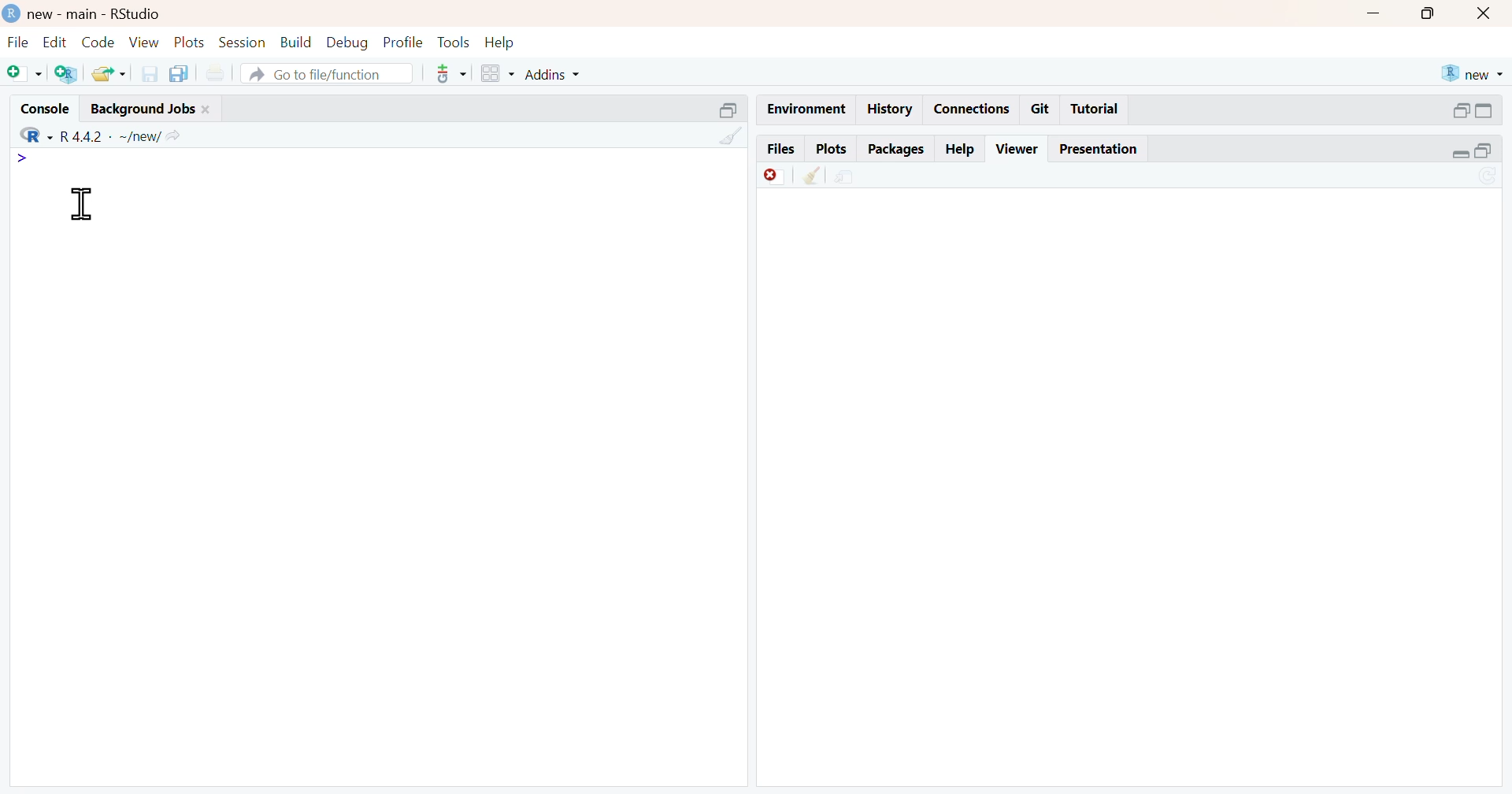 The width and height of the screenshot is (1512, 794). Describe the element at coordinates (102, 43) in the screenshot. I see `code` at that location.